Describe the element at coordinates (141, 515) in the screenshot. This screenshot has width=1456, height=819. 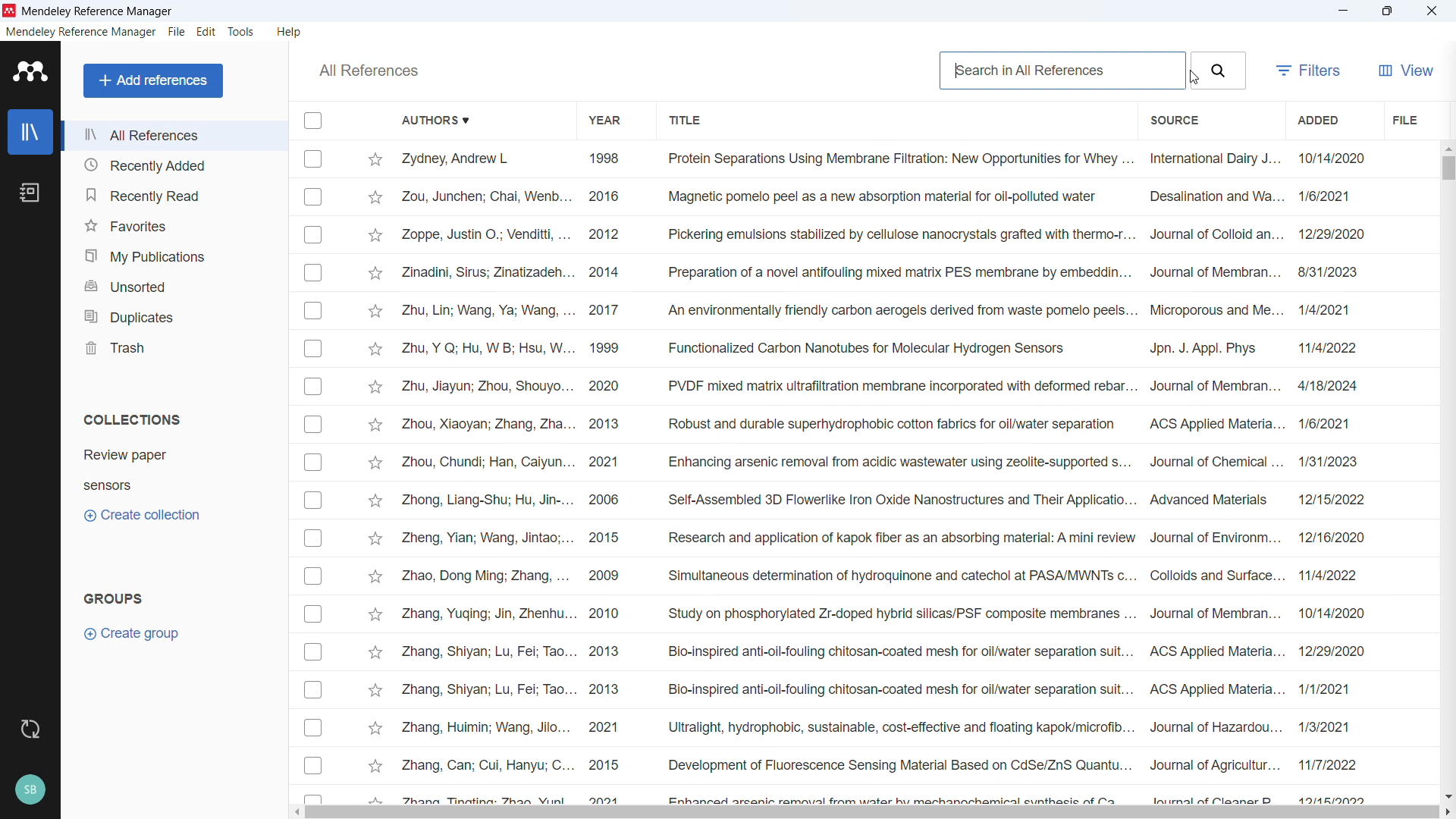
I see `Create collection ` at that location.